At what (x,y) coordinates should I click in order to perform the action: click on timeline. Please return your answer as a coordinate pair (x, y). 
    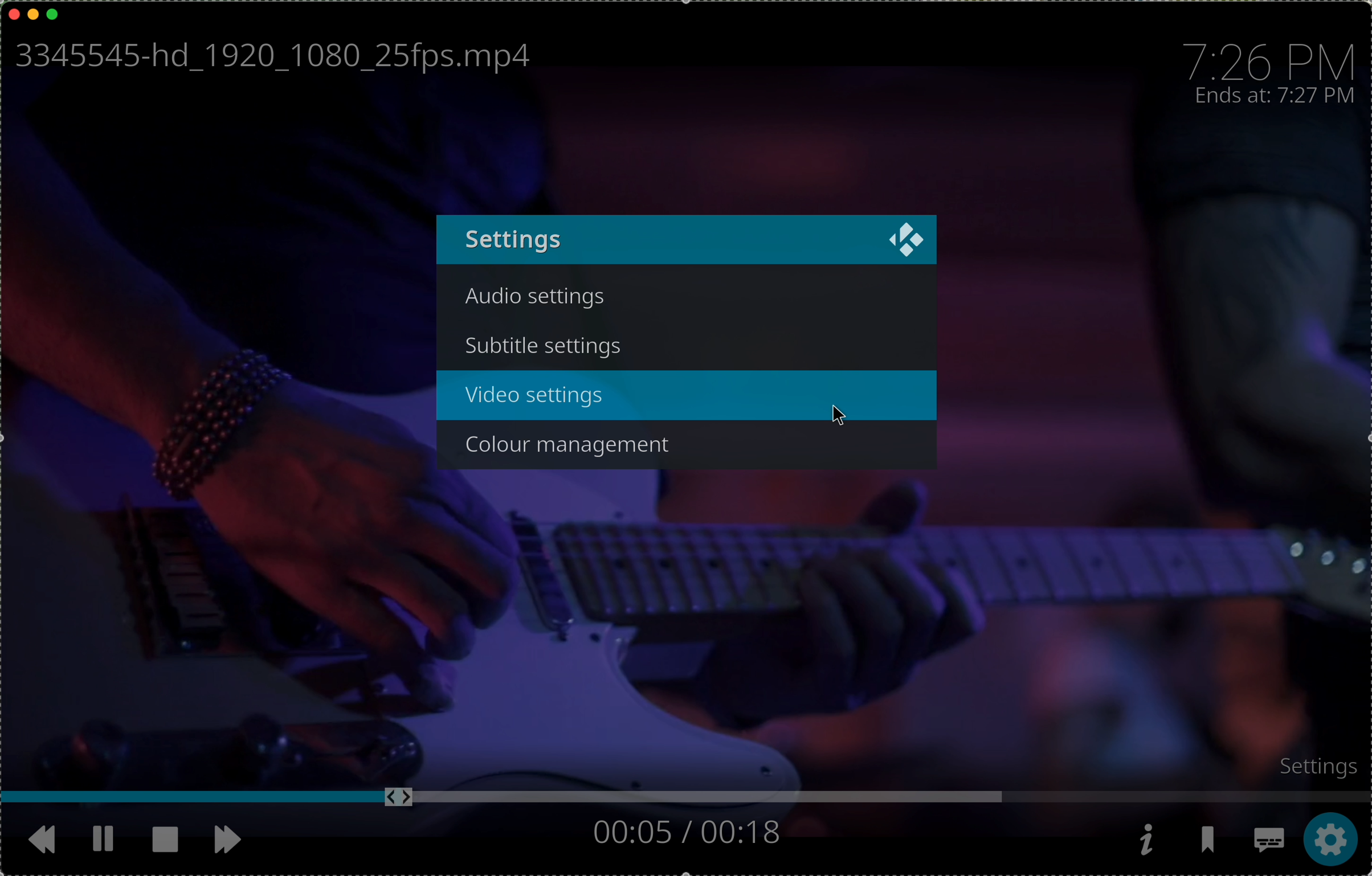
    Looking at the image, I should click on (686, 799).